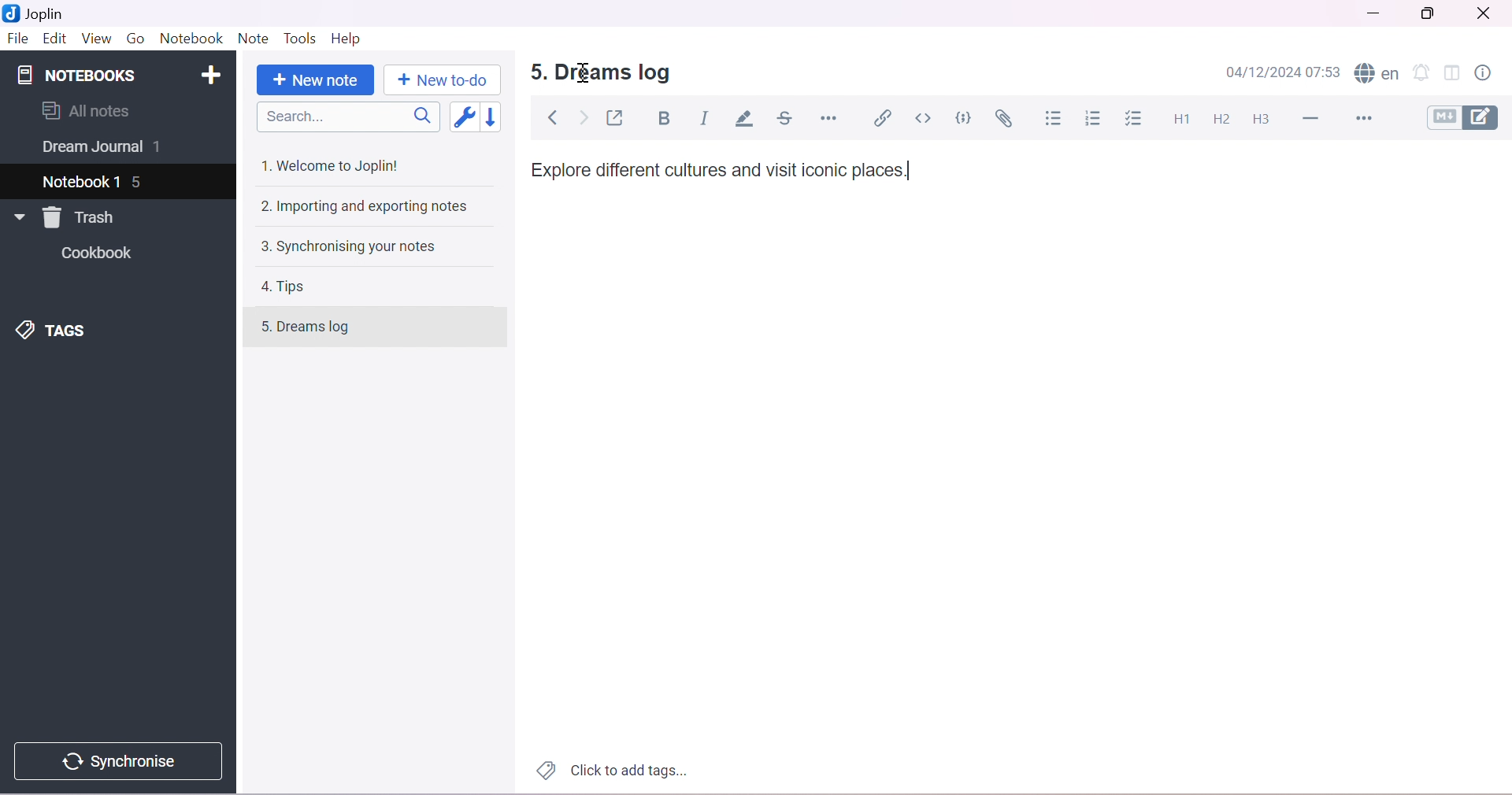 The width and height of the screenshot is (1512, 795). I want to click on 1, so click(162, 148).